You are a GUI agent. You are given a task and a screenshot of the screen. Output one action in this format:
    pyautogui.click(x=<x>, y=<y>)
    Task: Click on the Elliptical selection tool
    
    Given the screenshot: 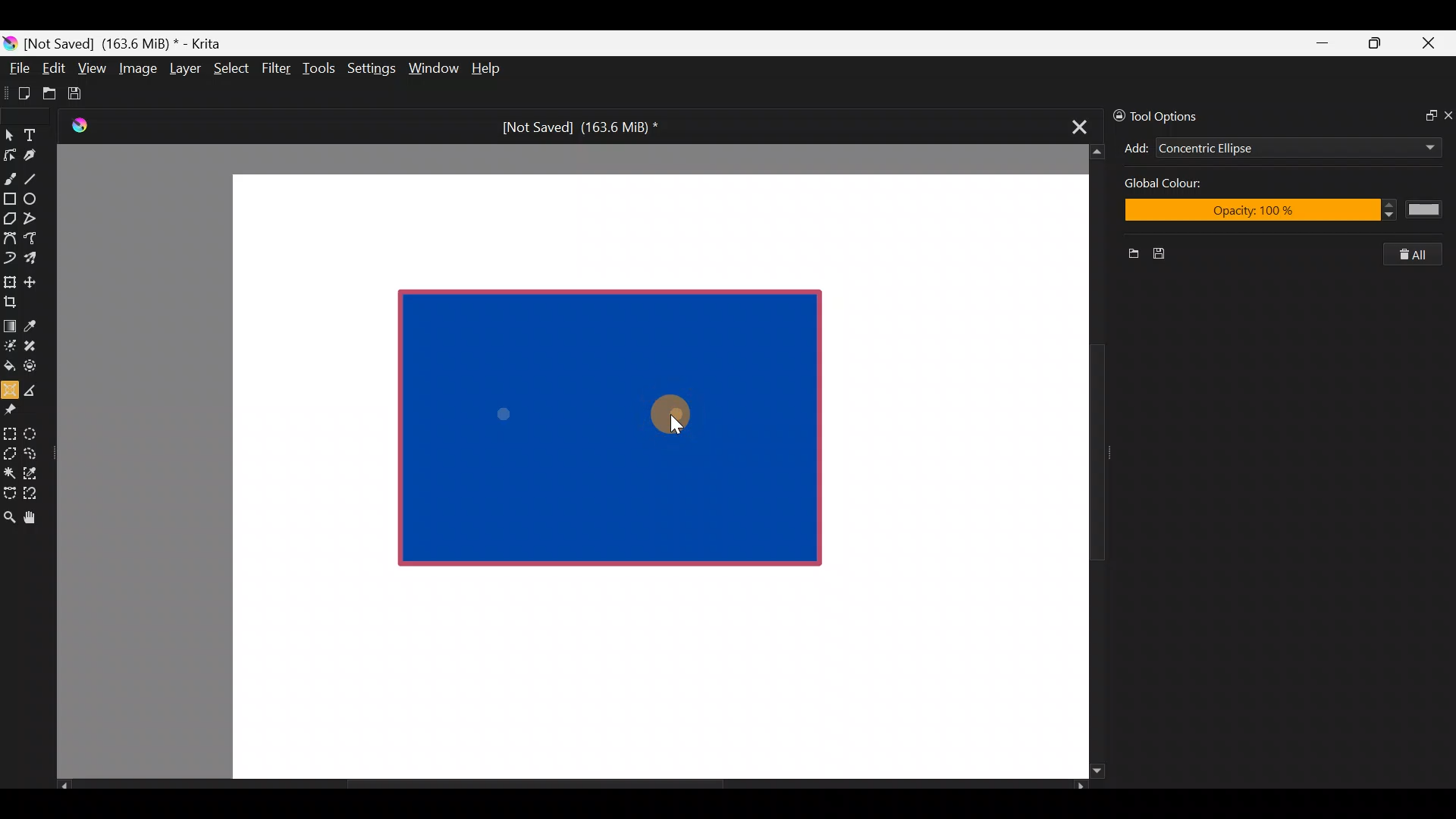 What is the action you would take?
    pyautogui.click(x=36, y=431)
    